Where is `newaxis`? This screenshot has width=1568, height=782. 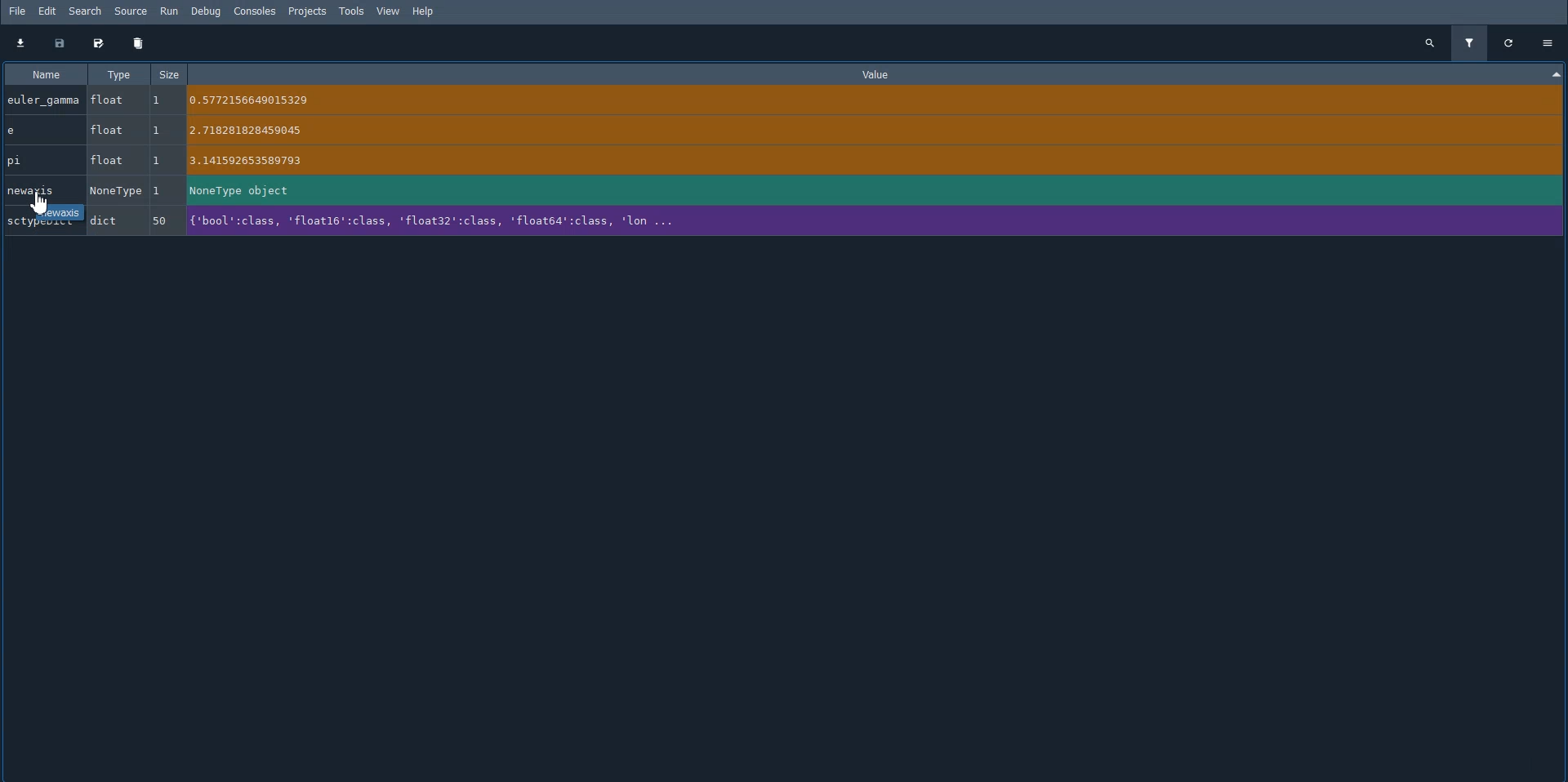 newaxis is located at coordinates (784, 190).